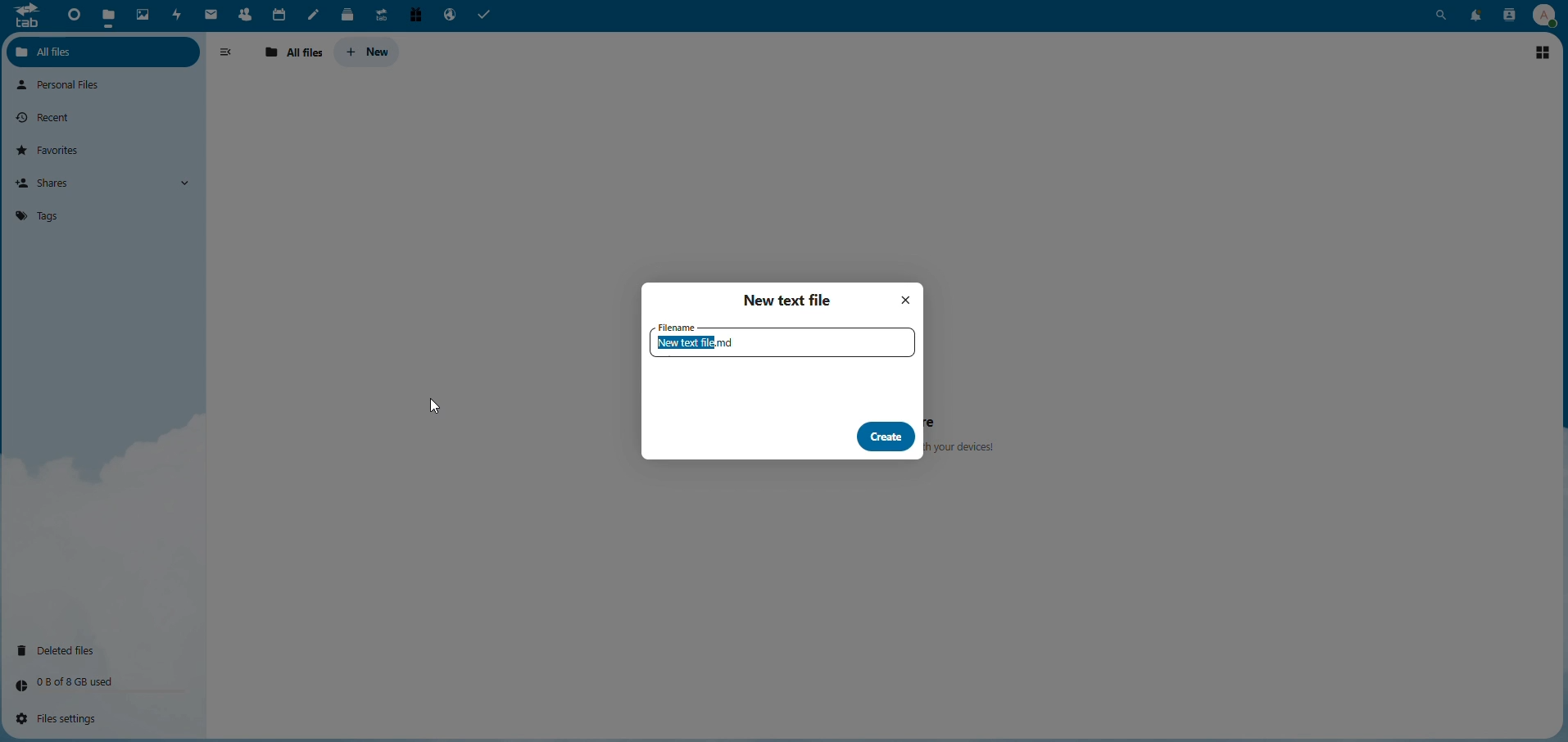 This screenshot has height=742, width=1568. Describe the element at coordinates (70, 16) in the screenshot. I see `dashboard` at that location.